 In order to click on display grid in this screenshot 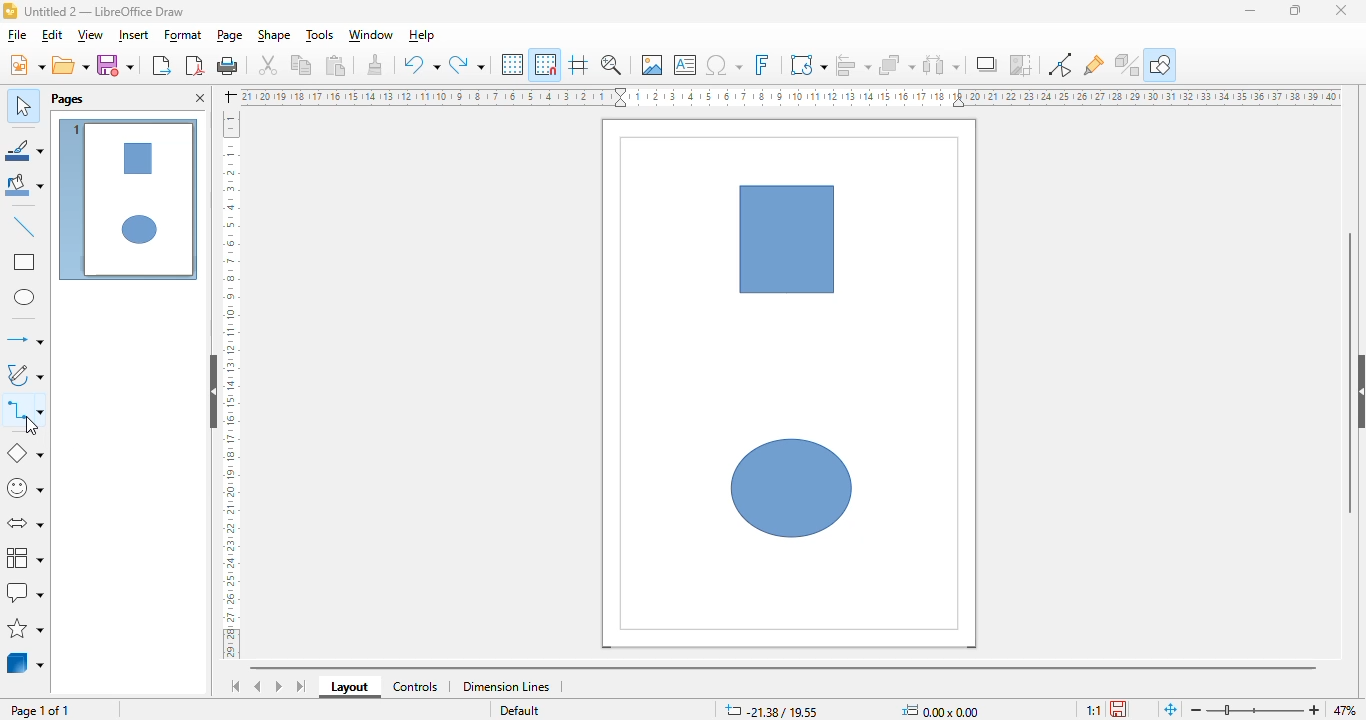, I will do `click(512, 64)`.